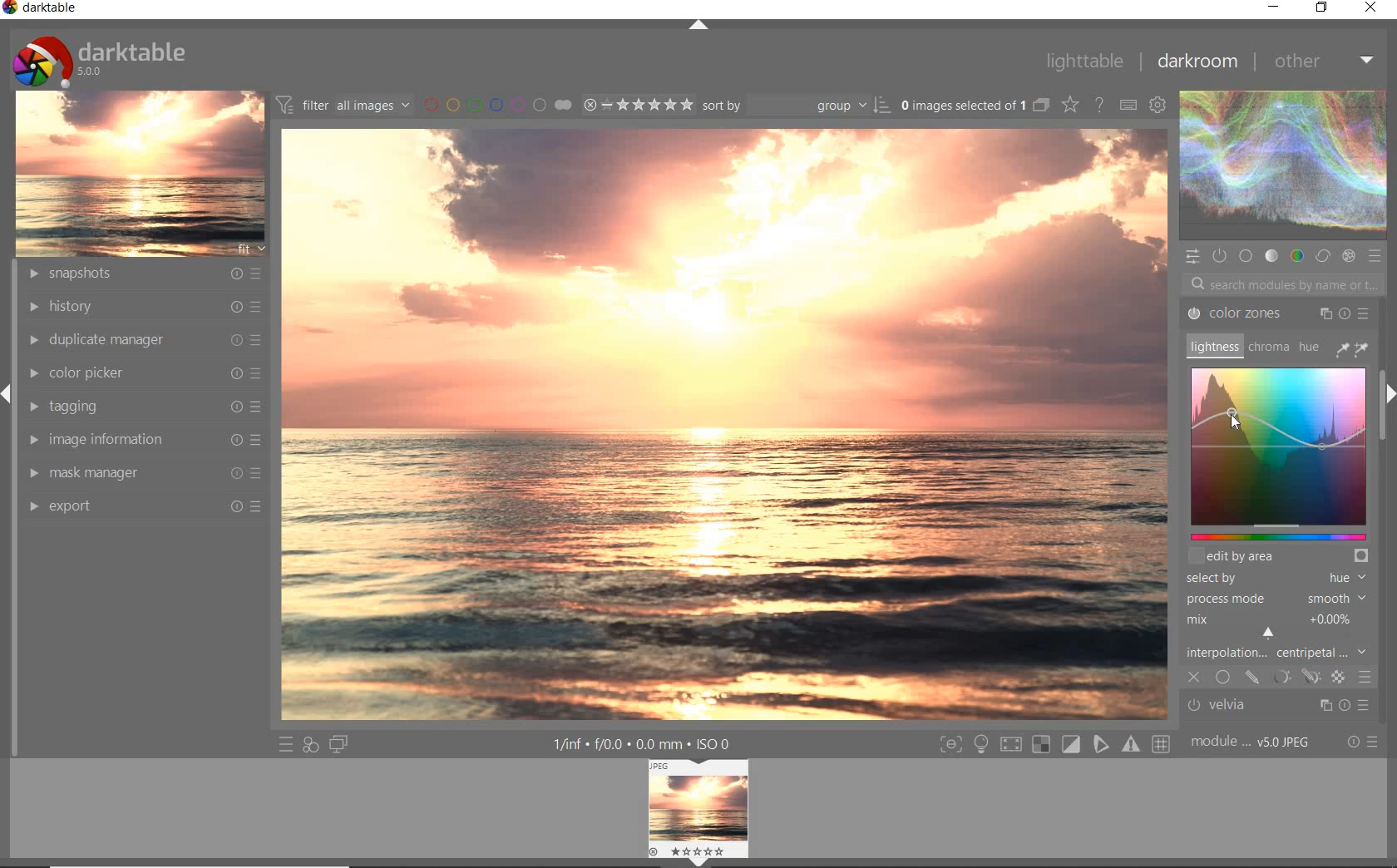  Describe the element at coordinates (142, 405) in the screenshot. I see `TAGGING` at that location.